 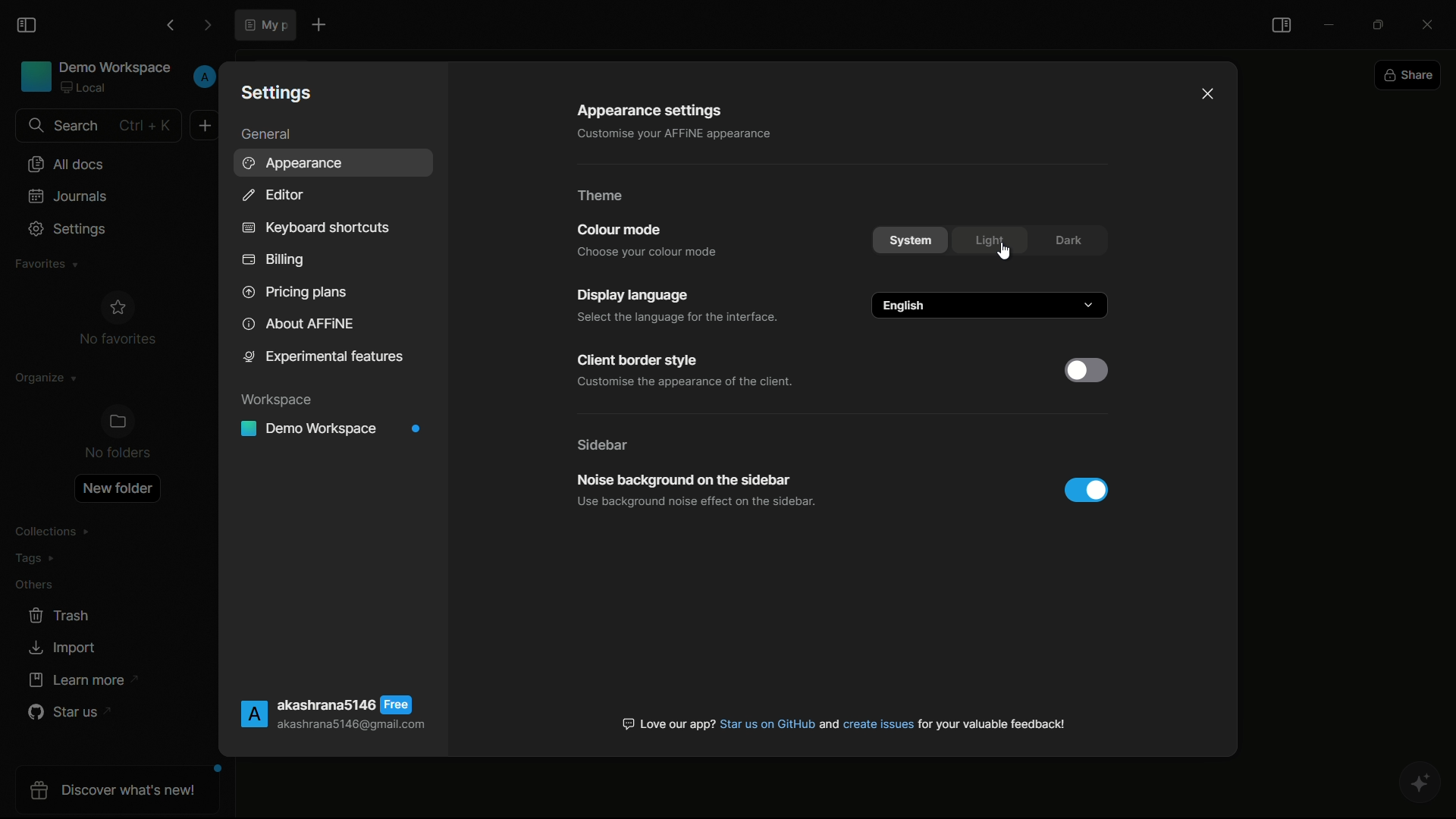 What do you see at coordinates (61, 648) in the screenshot?
I see `import` at bounding box center [61, 648].